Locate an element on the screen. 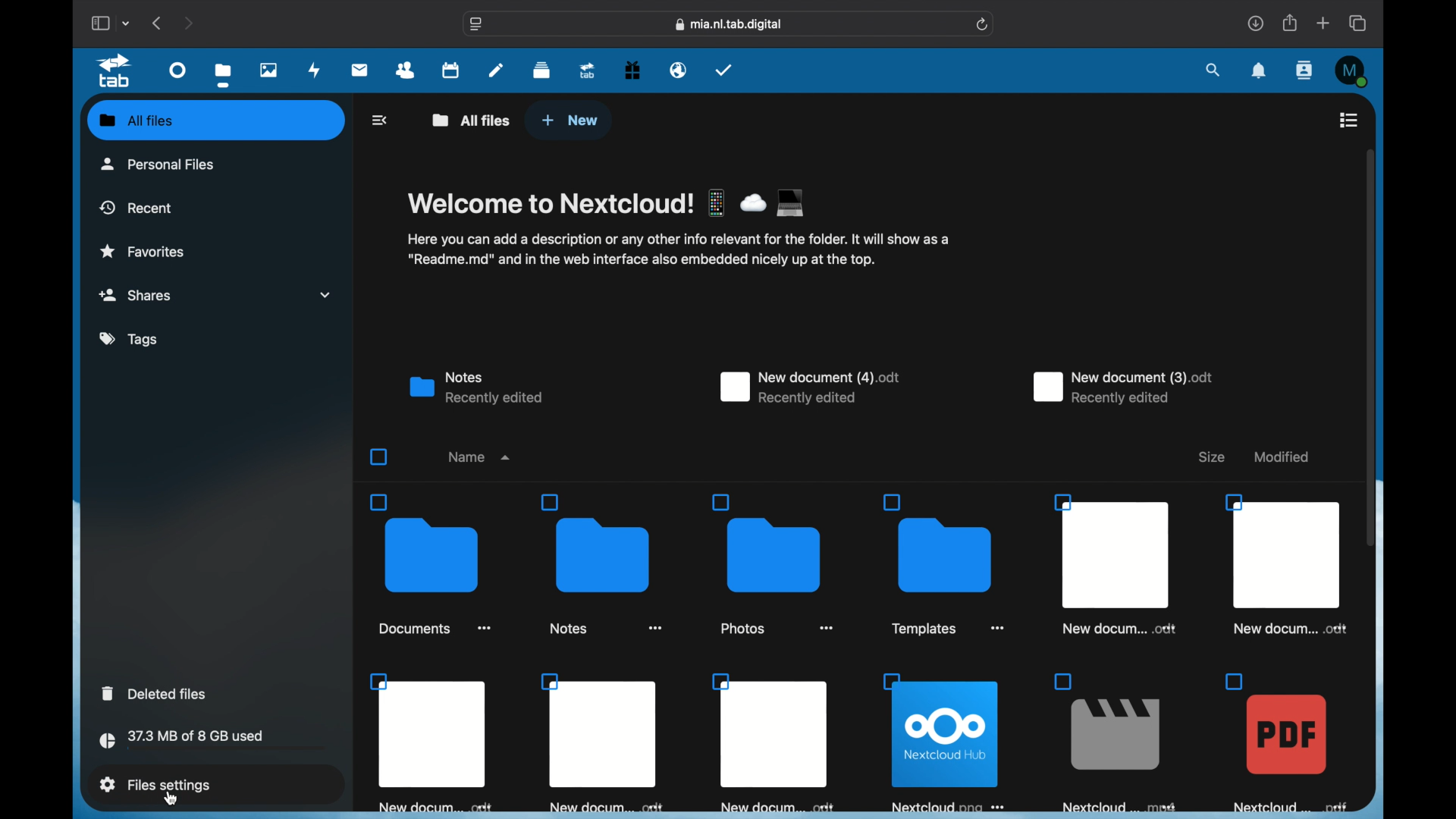 The height and width of the screenshot is (819, 1456). file is located at coordinates (943, 565).